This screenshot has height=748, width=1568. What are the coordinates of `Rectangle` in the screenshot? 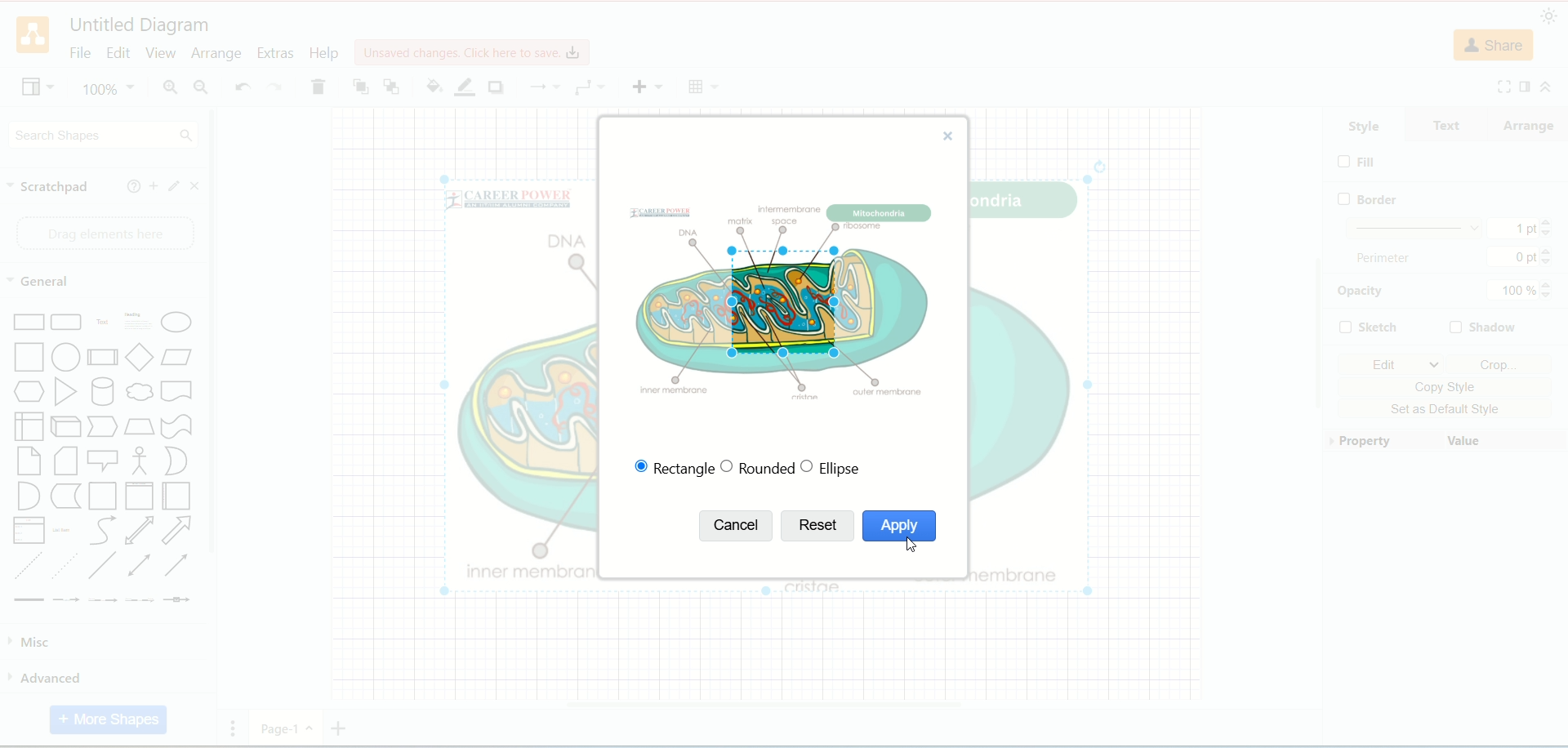 It's located at (30, 321).